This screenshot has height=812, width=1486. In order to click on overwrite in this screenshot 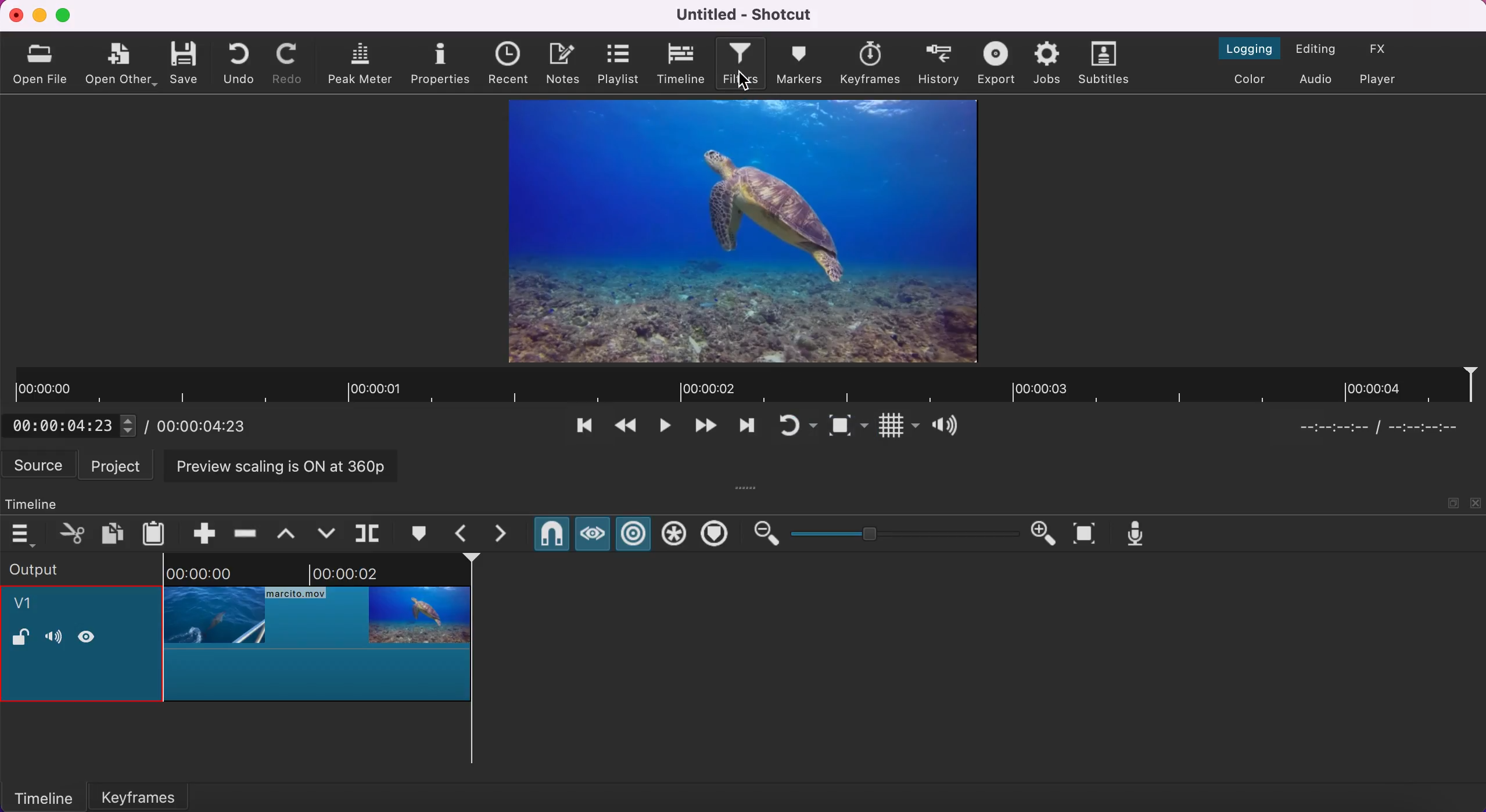, I will do `click(326, 532)`.